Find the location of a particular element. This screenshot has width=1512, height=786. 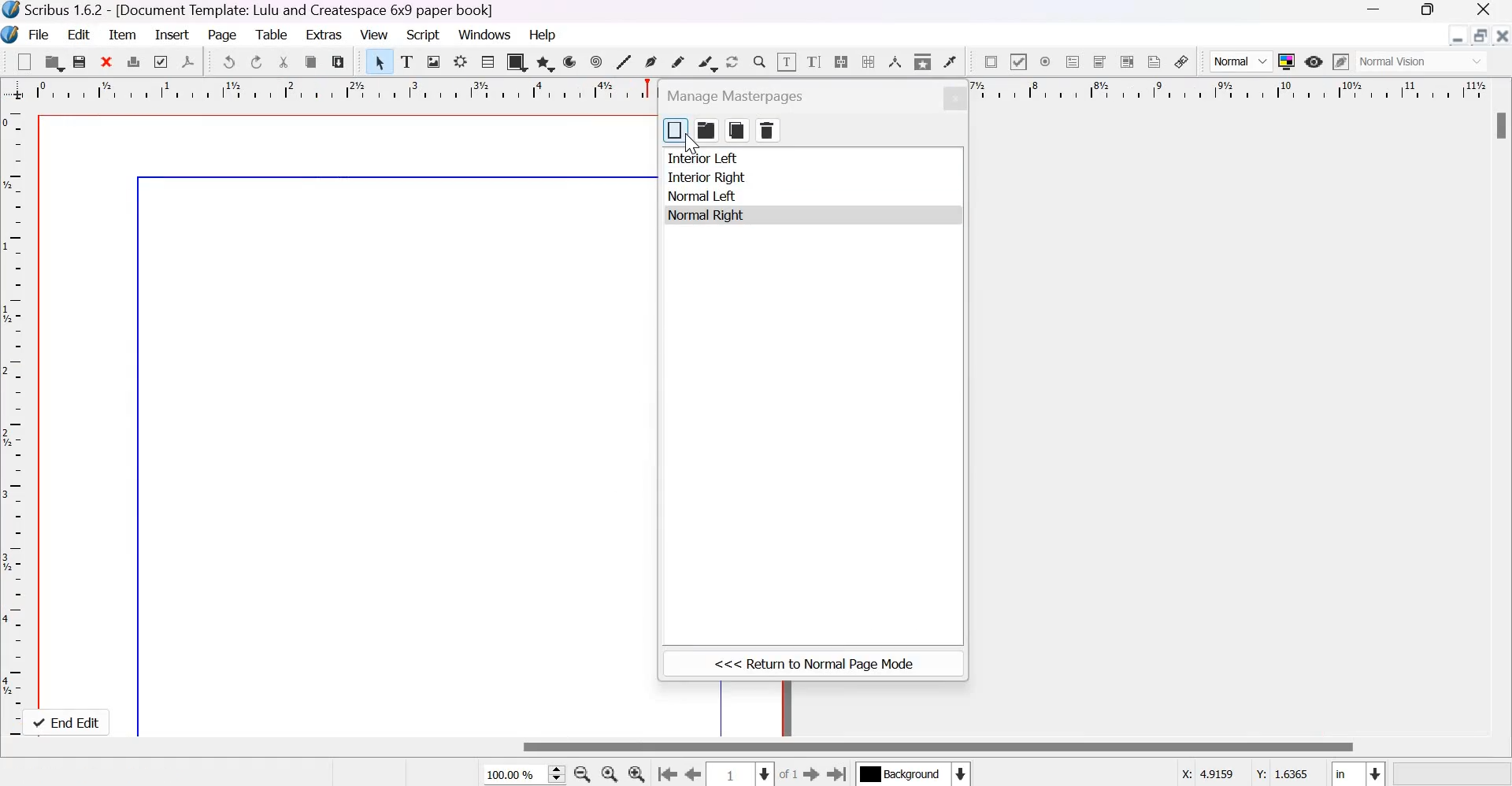

Extras is located at coordinates (323, 35).